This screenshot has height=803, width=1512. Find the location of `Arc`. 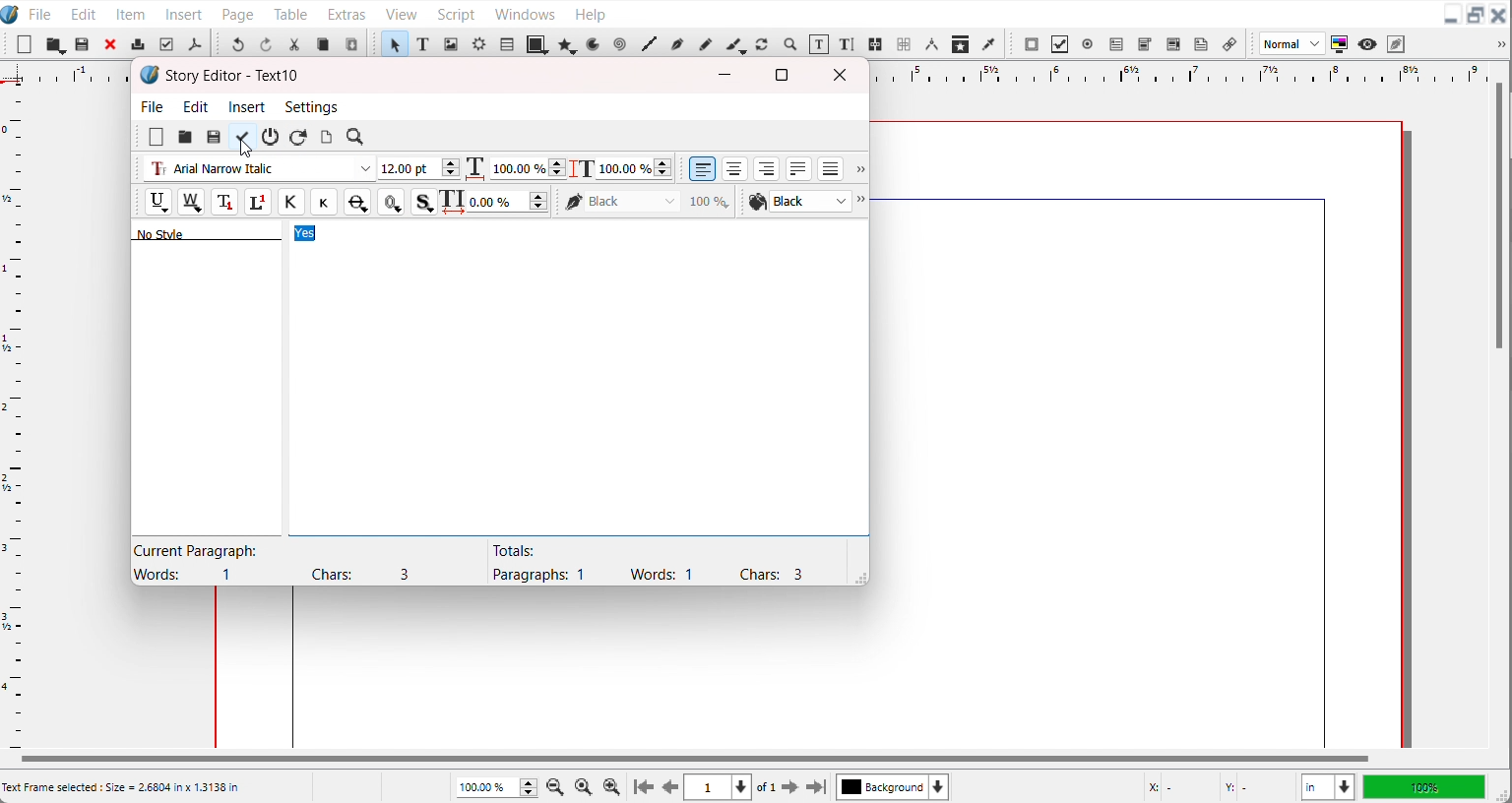

Arc is located at coordinates (595, 43).